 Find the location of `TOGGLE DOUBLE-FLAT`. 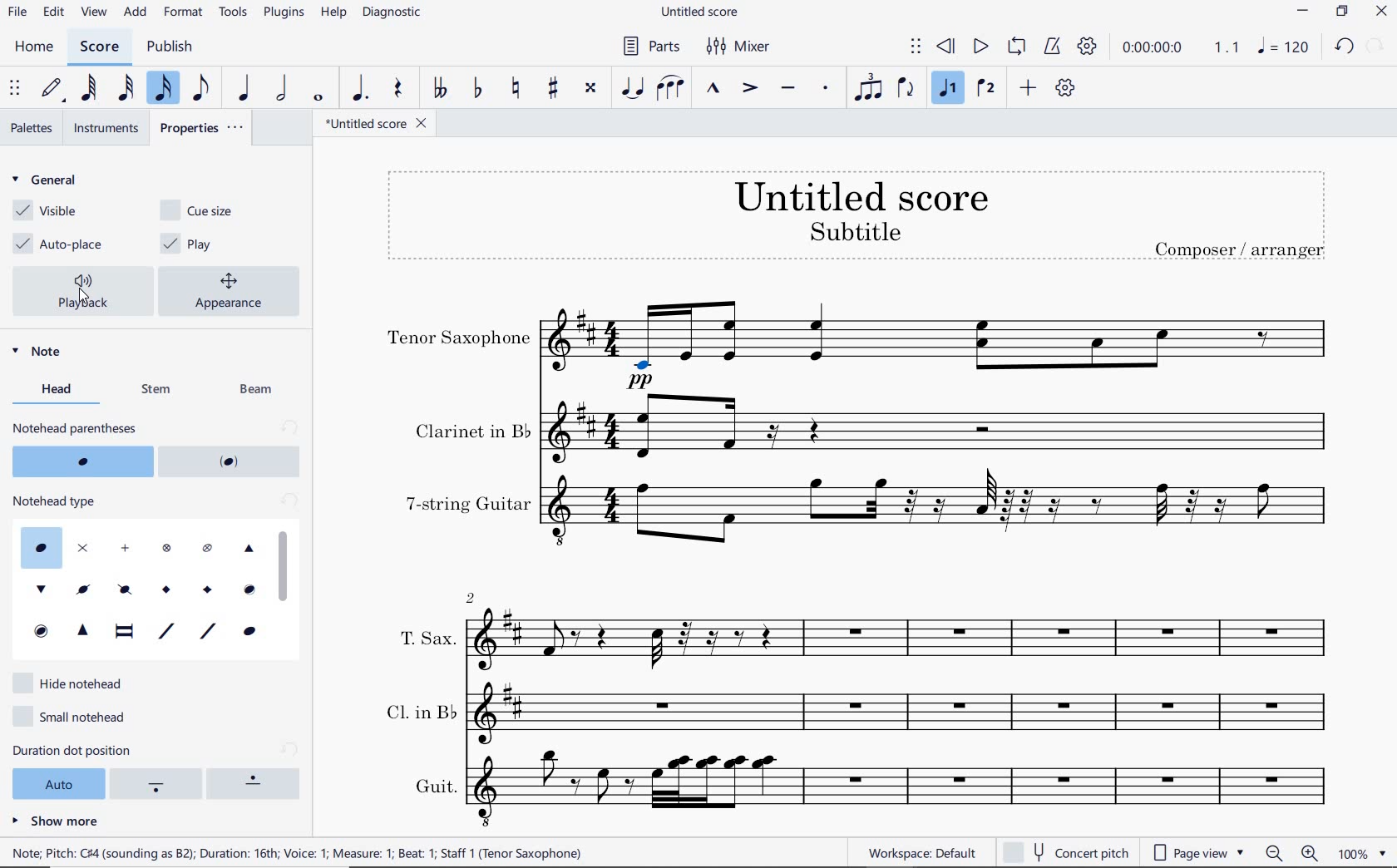

TOGGLE DOUBLE-FLAT is located at coordinates (442, 86).